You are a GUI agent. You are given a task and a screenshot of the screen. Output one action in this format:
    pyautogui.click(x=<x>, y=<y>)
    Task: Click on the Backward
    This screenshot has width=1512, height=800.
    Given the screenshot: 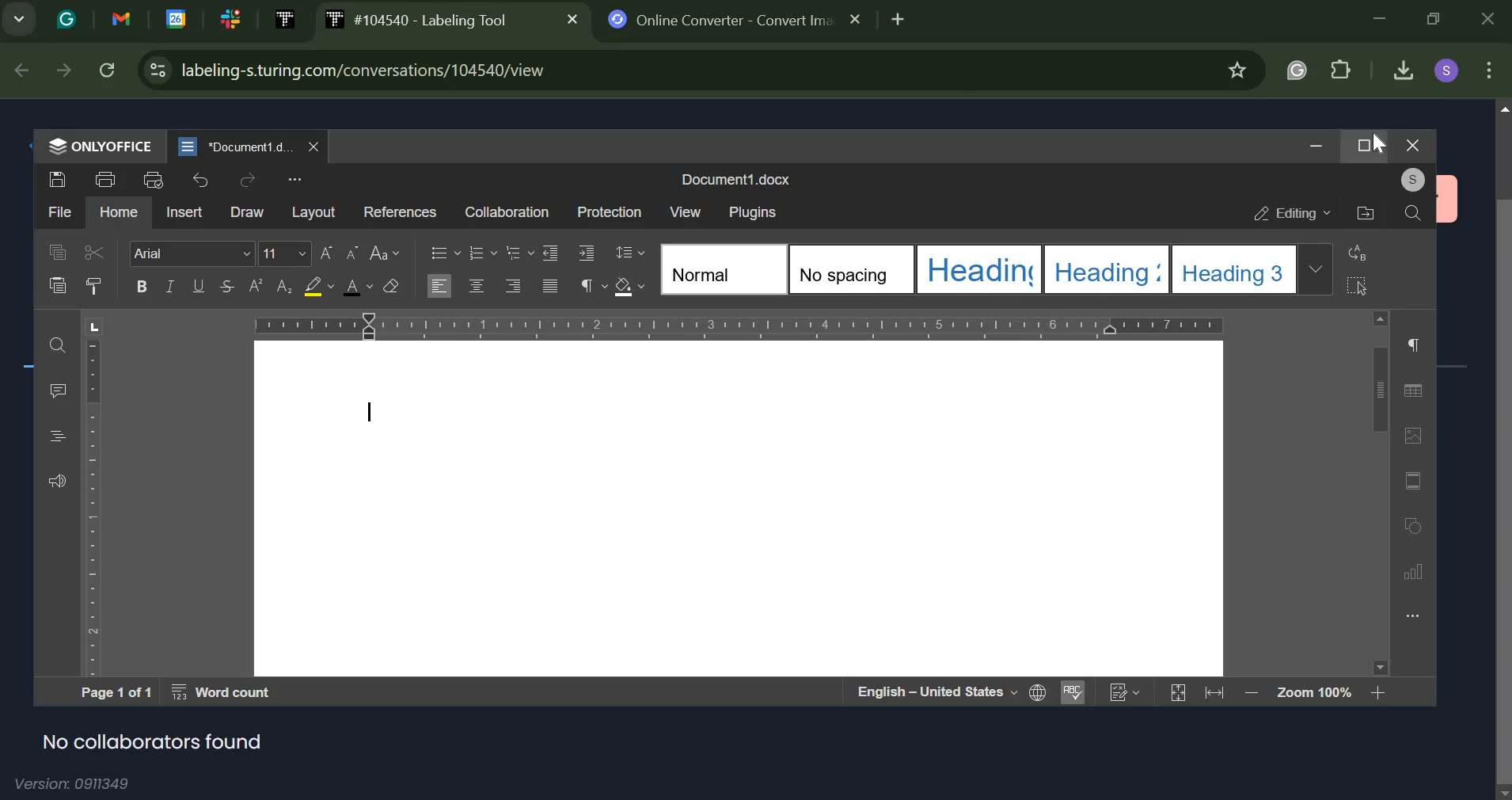 What is the action you would take?
    pyautogui.click(x=21, y=70)
    